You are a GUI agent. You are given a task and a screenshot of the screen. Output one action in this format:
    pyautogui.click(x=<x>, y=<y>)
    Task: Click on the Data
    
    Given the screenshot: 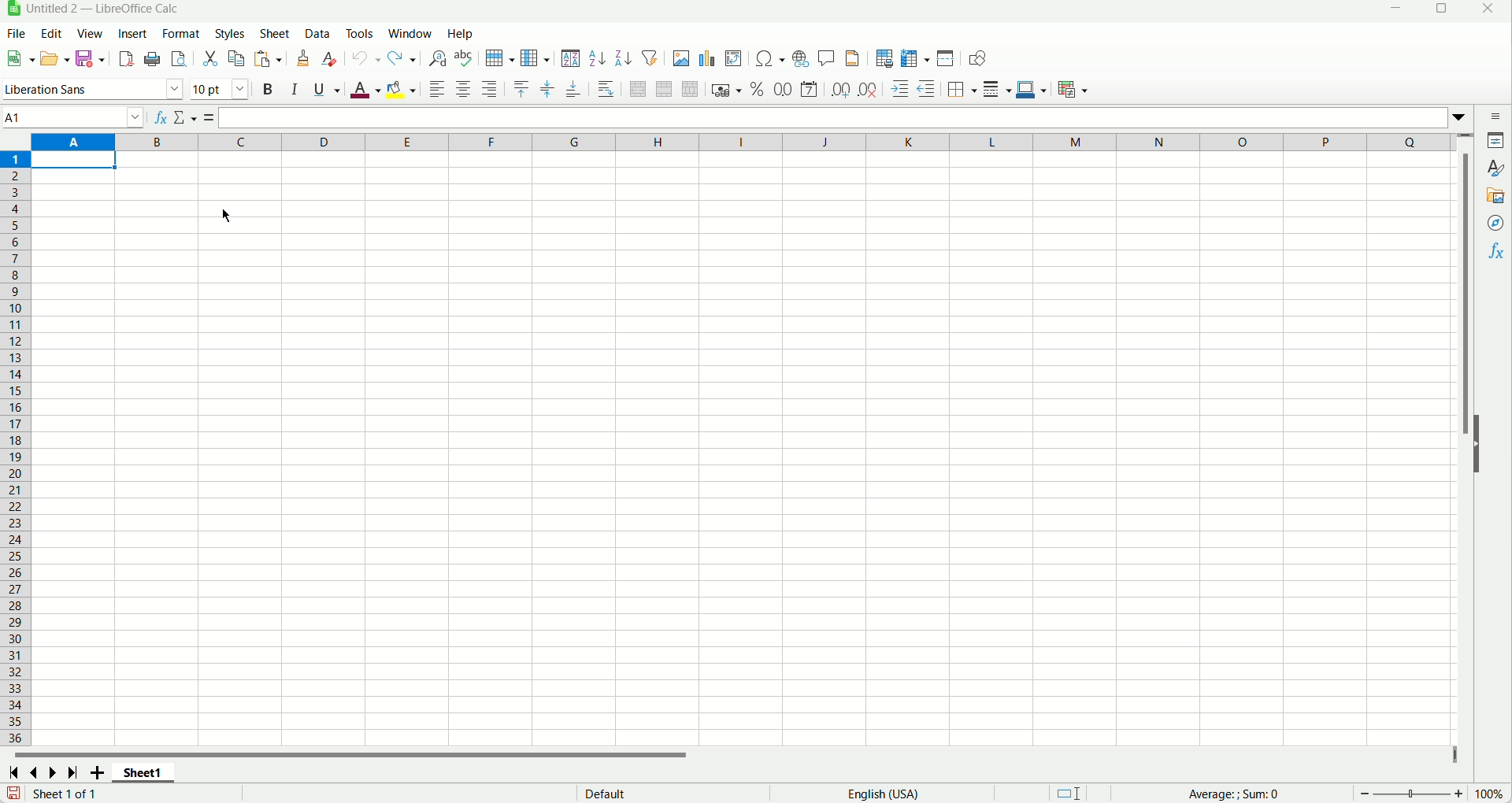 What is the action you would take?
    pyautogui.click(x=318, y=35)
    